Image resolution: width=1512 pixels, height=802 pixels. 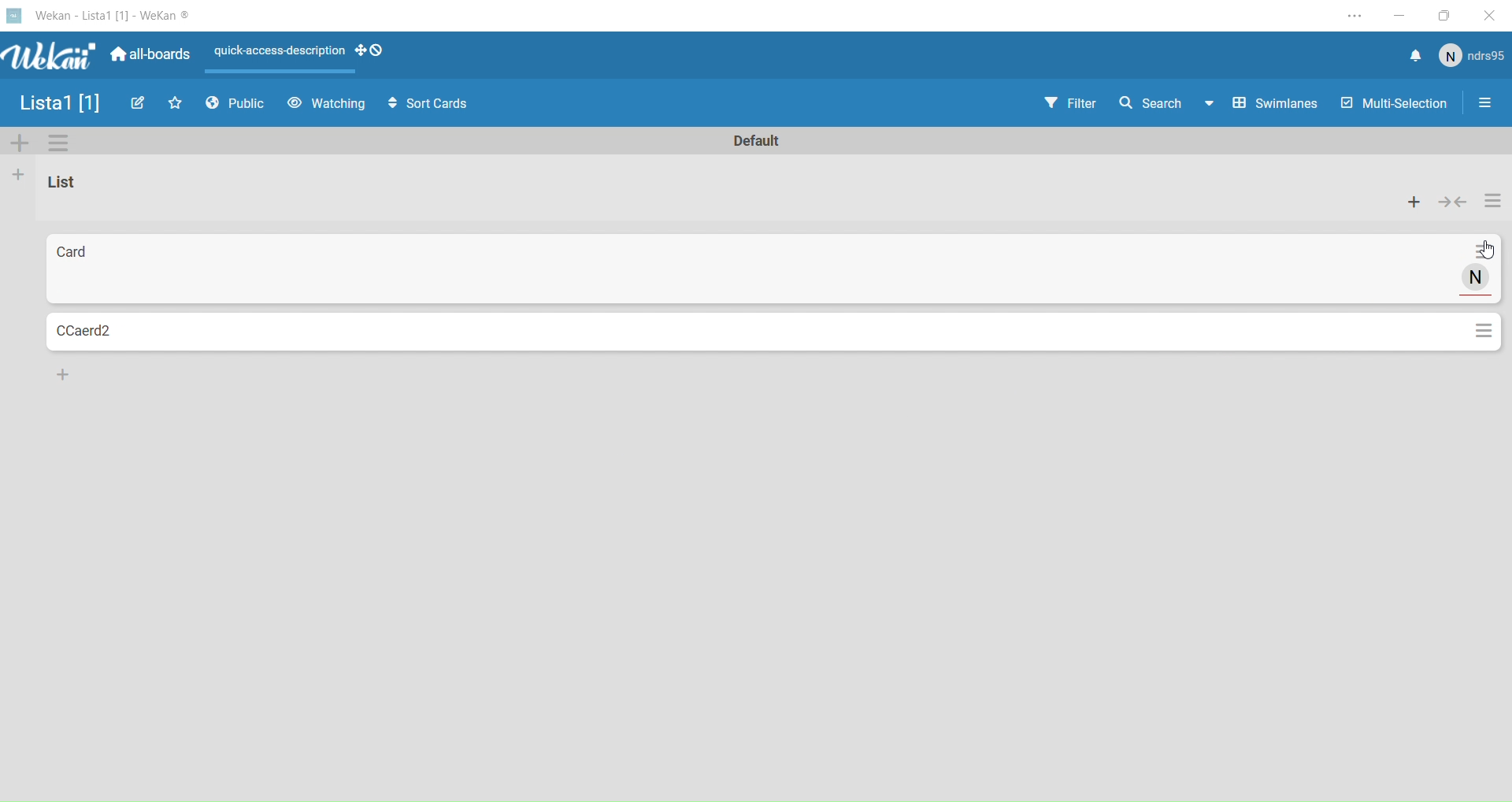 I want to click on Search, so click(x=1155, y=104).